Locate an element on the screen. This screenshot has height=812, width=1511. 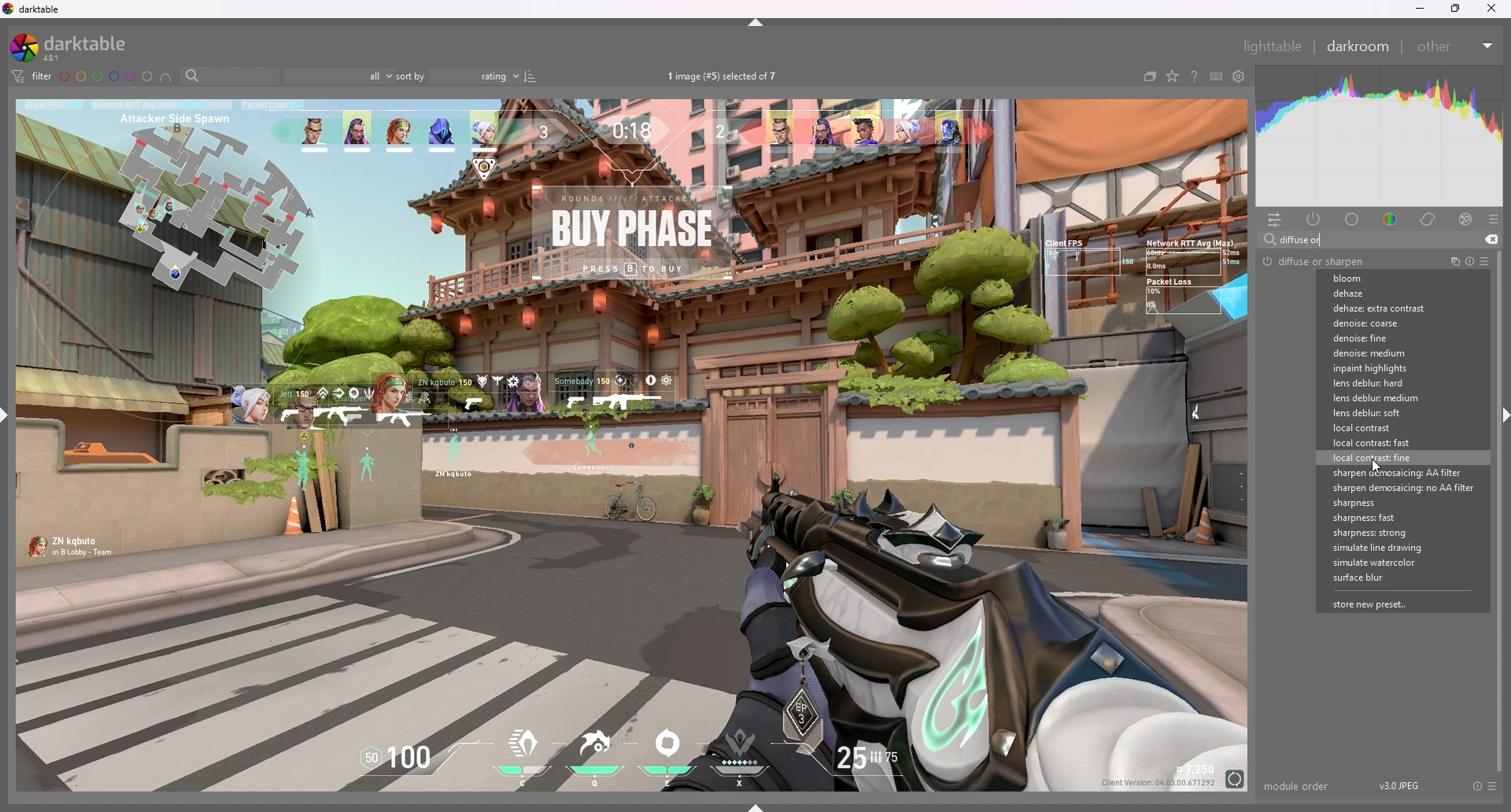
denoise medium is located at coordinates (1389, 353).